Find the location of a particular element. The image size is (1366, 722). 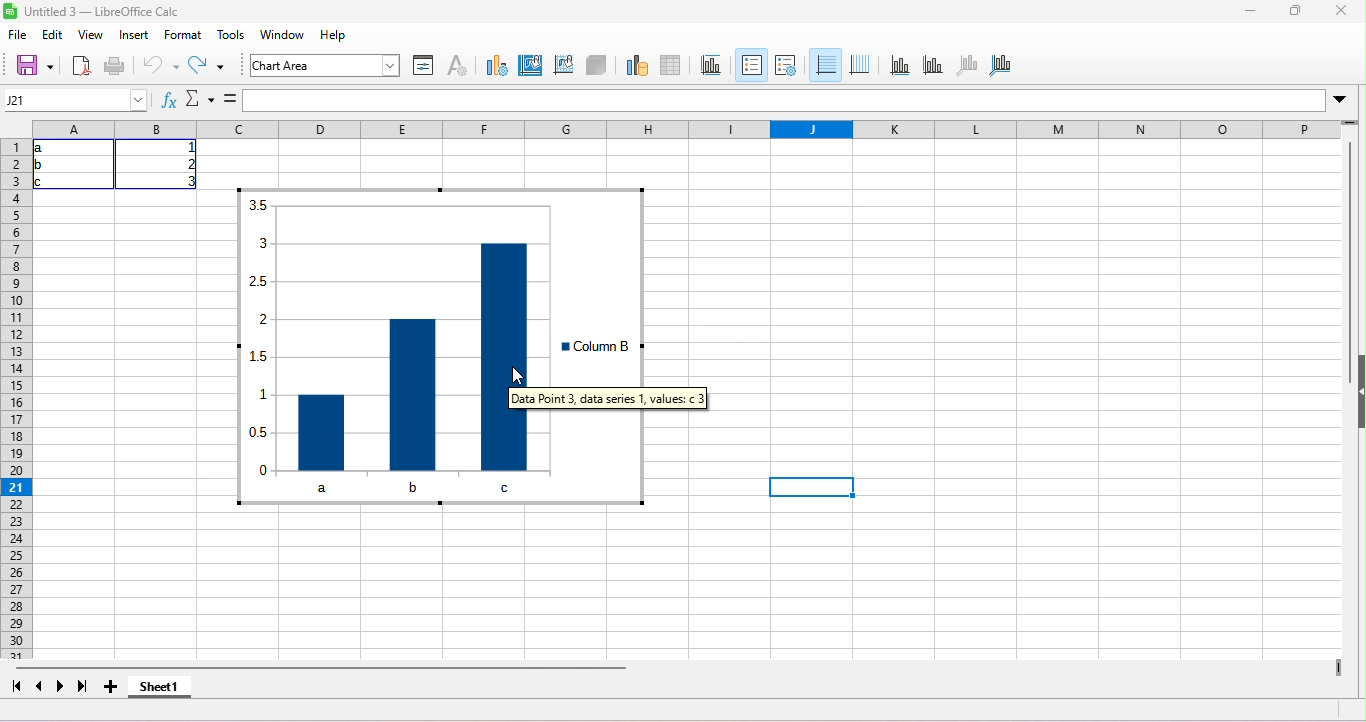

z axis is located at coordinates (972, 64).